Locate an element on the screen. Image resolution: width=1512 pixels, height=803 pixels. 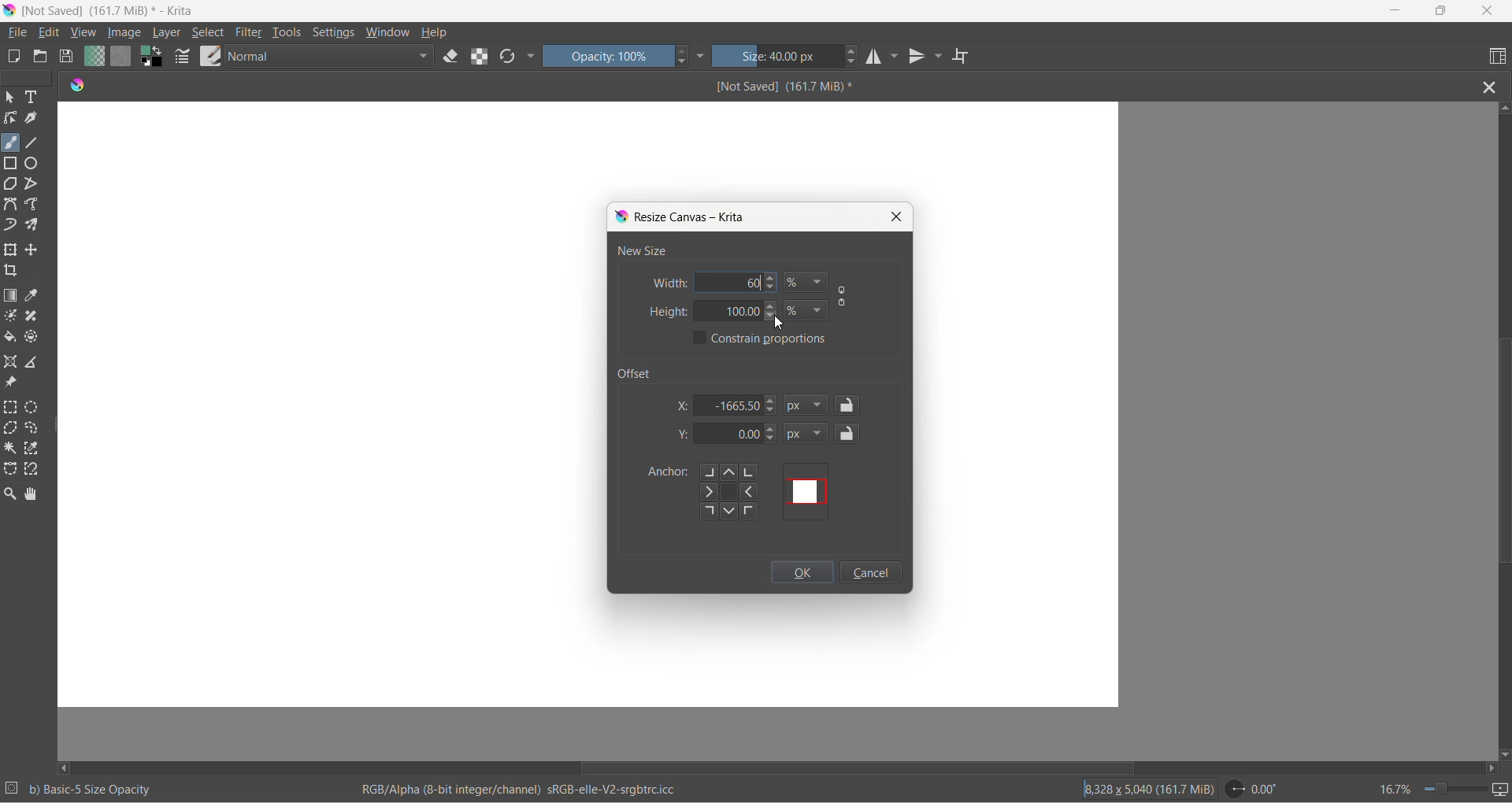
file is located at coordinates (20, 33).